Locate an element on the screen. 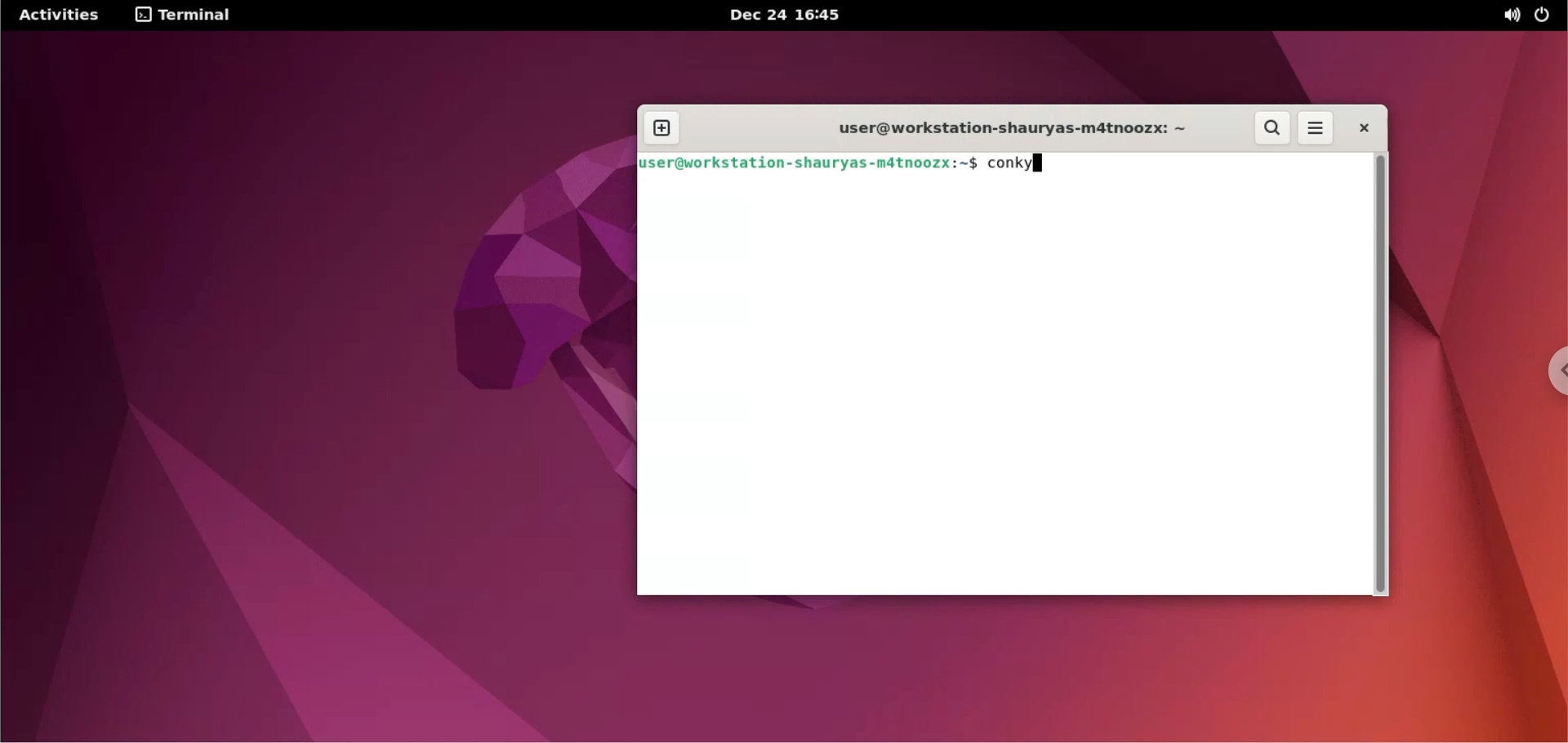 The image size is (1568, 743). user@workstation-shauyas-m4tnoozx: ~ is located at coordinates (1000, 127).